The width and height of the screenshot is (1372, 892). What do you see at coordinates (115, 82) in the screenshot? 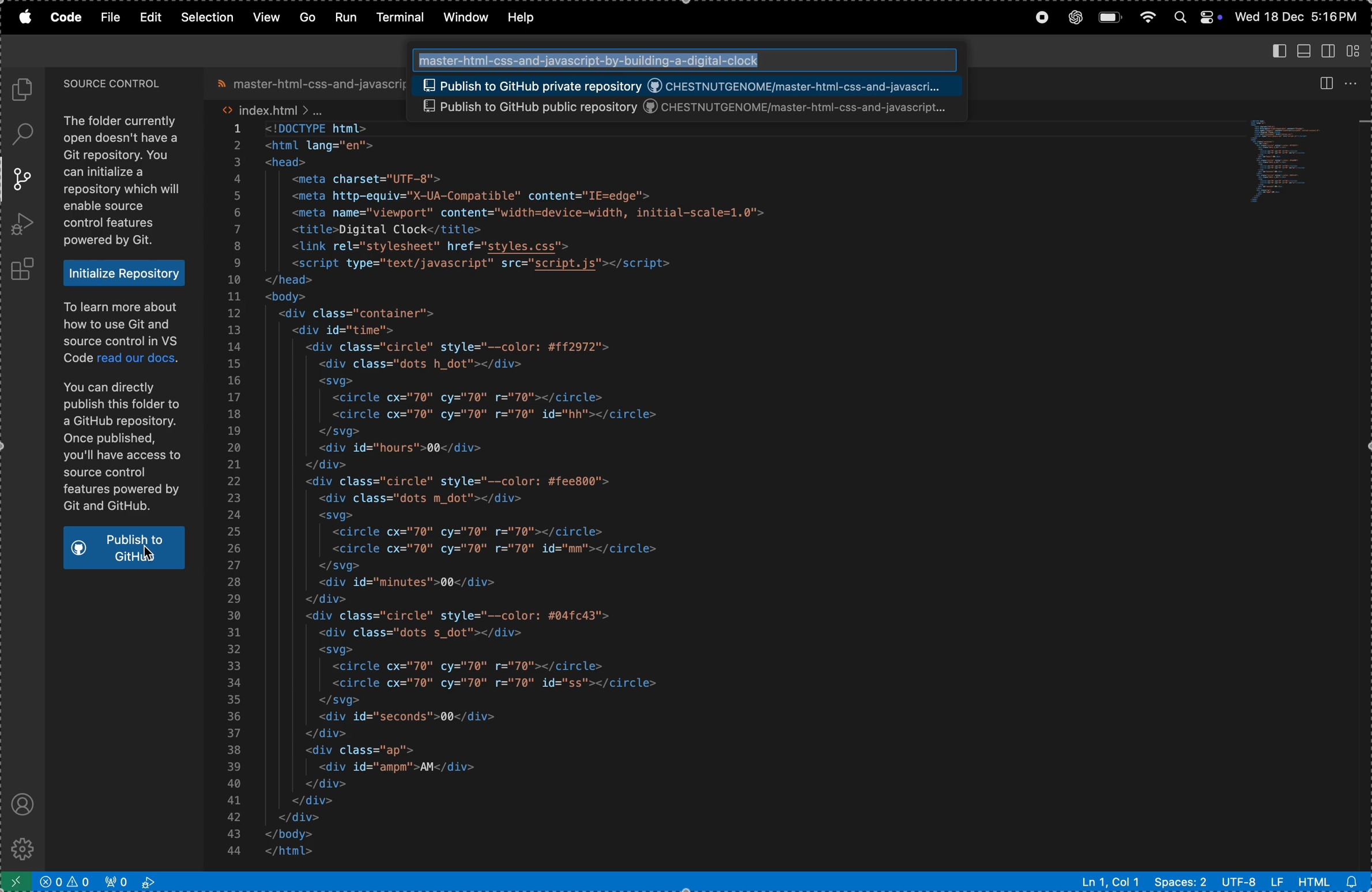
I see `source control` at bounding box center [115, 82].